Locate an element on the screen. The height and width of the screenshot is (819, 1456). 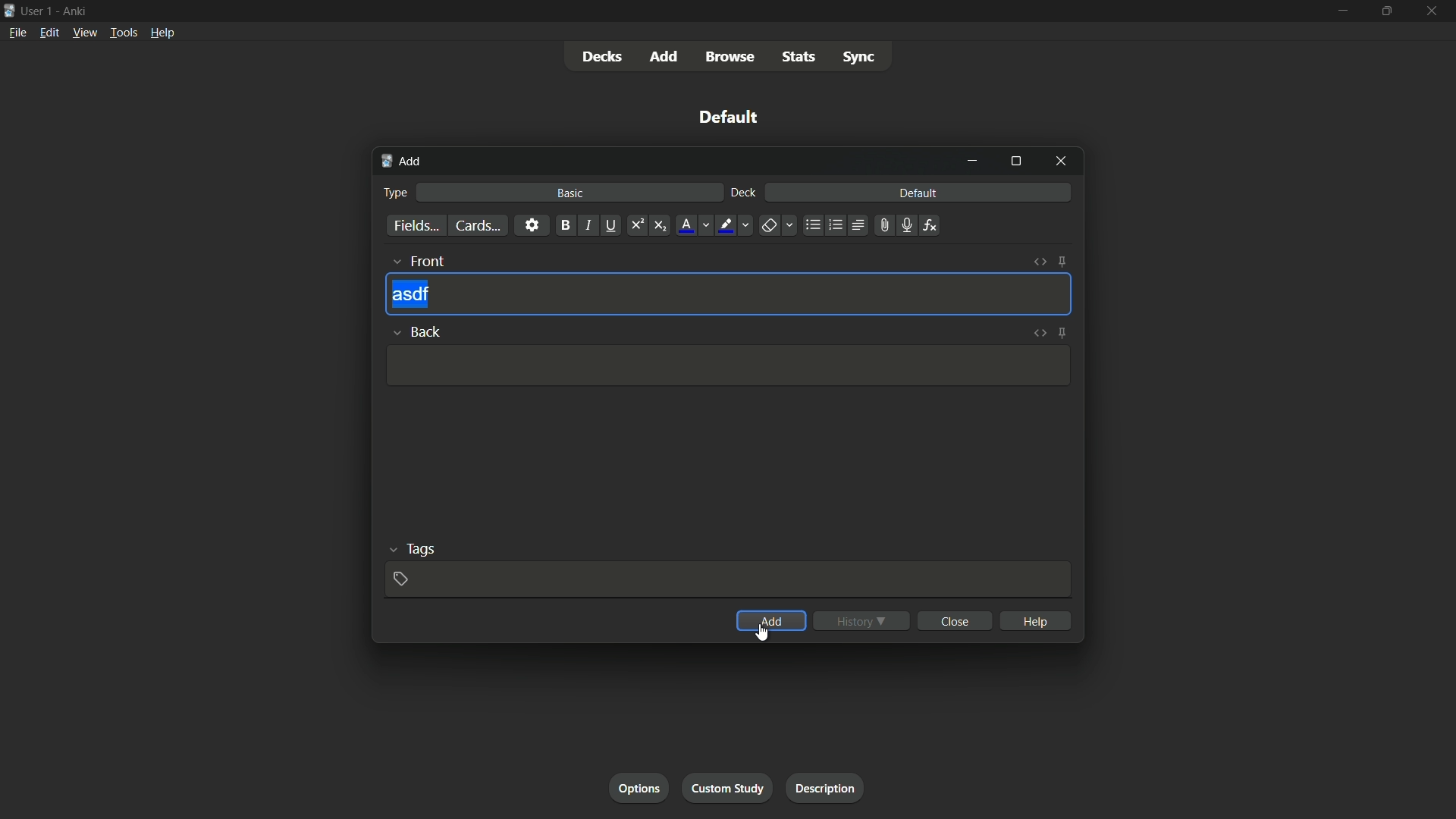
maximize is located at coordinates (1385, 10).